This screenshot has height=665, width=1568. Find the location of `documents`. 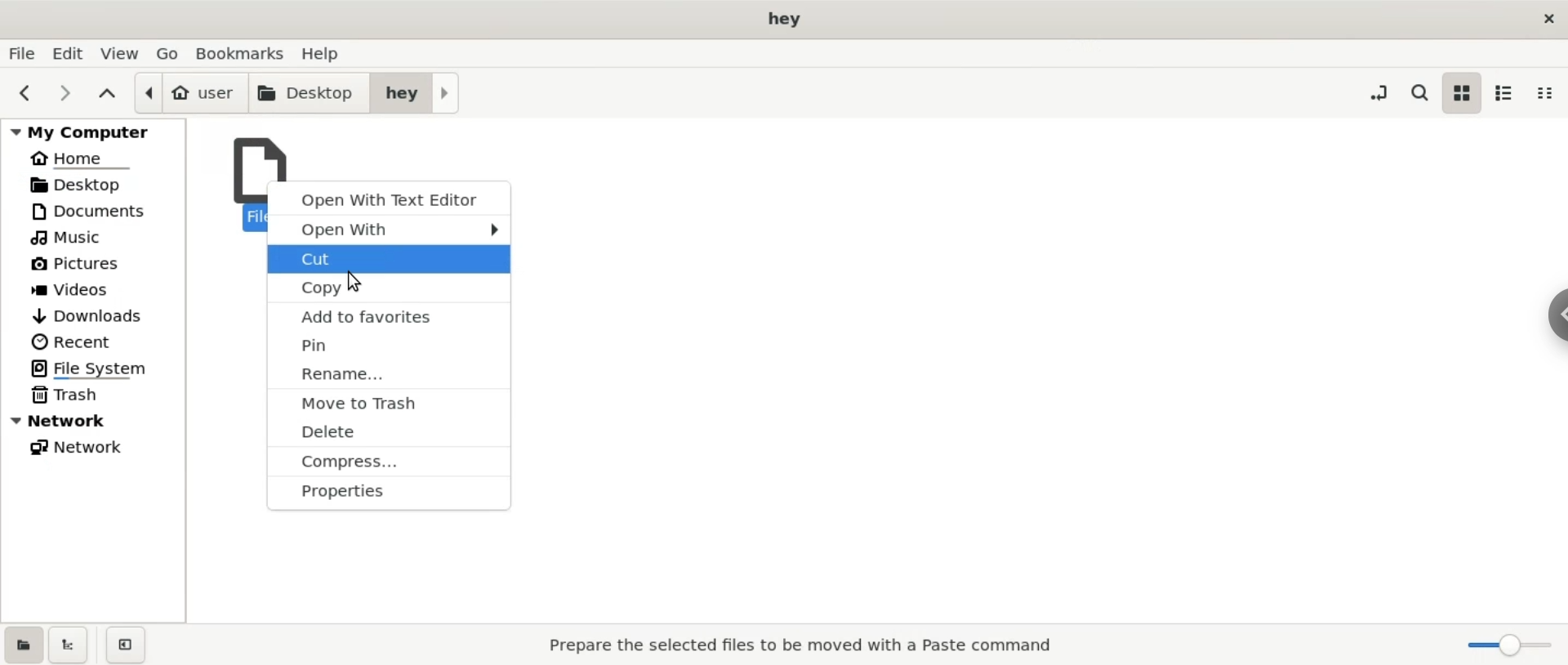

documents is located at coordinates (94, 210).